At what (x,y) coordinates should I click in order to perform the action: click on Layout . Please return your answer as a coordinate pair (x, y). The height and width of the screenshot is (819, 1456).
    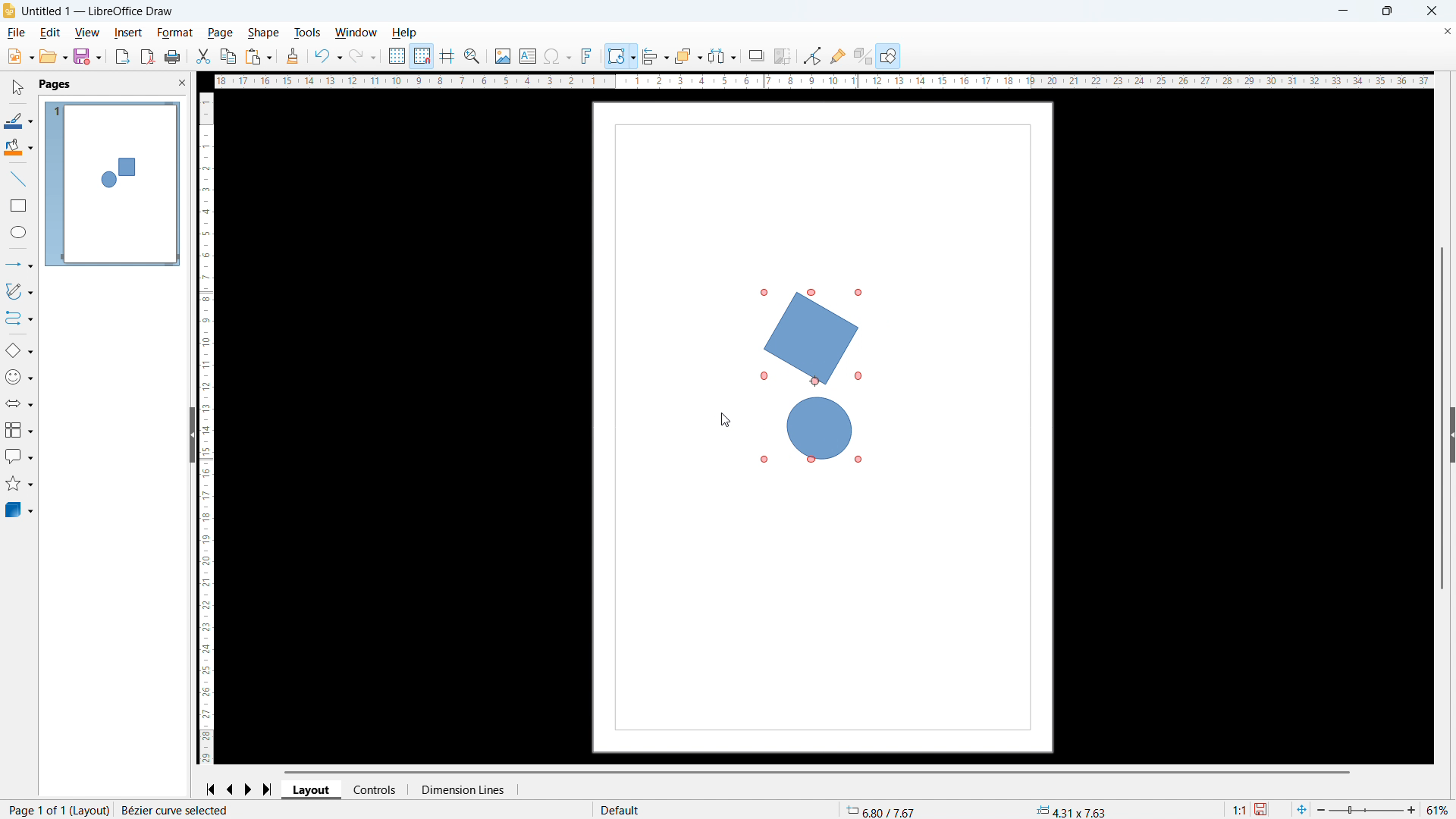
    Looking at the image, I should click on (312, 790).